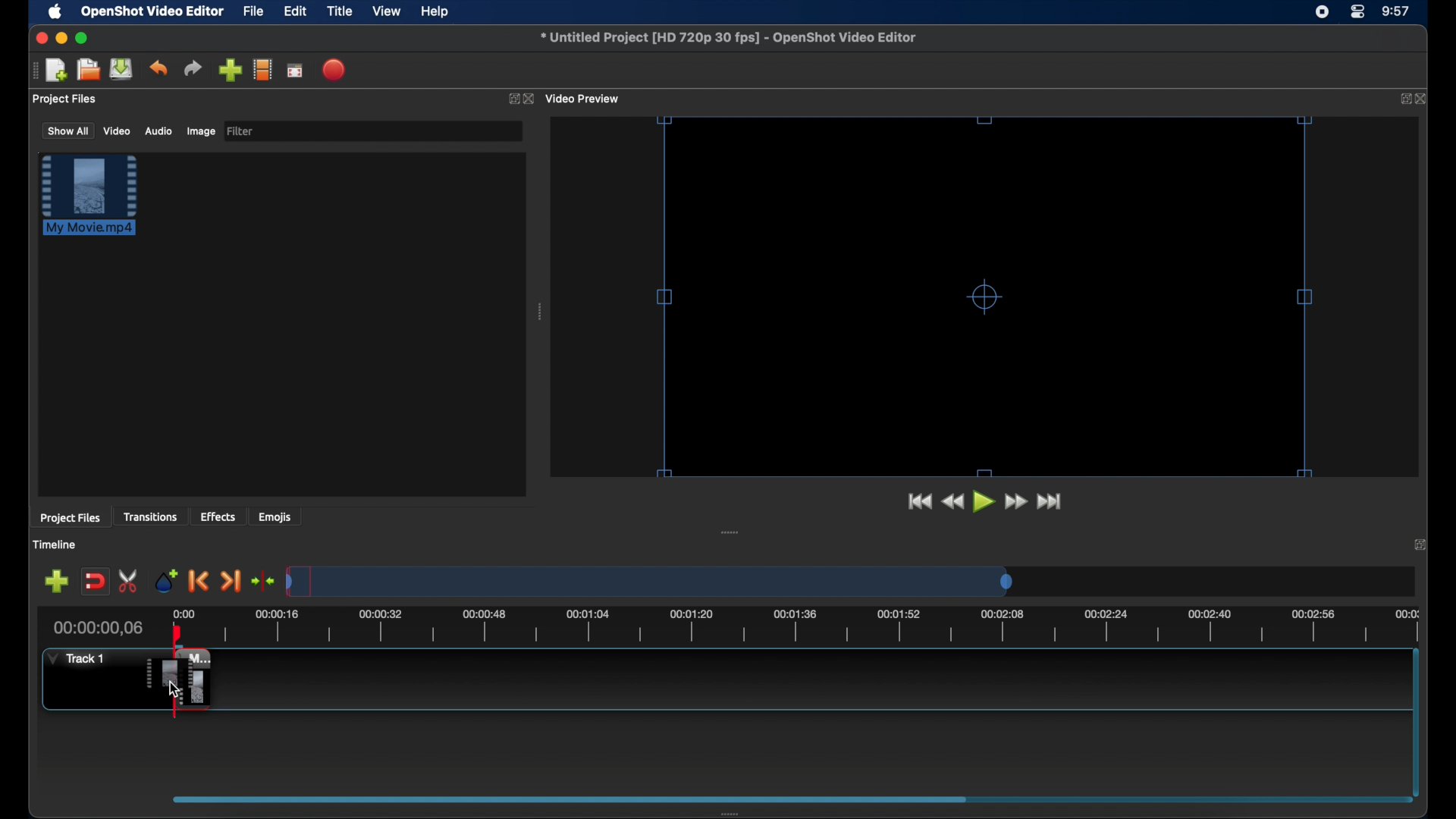 The width and height of the screenshot is (1456, 819). Describe the element at coordinates (99, 628) in the screenshot. I see `current time indicator` at that location.